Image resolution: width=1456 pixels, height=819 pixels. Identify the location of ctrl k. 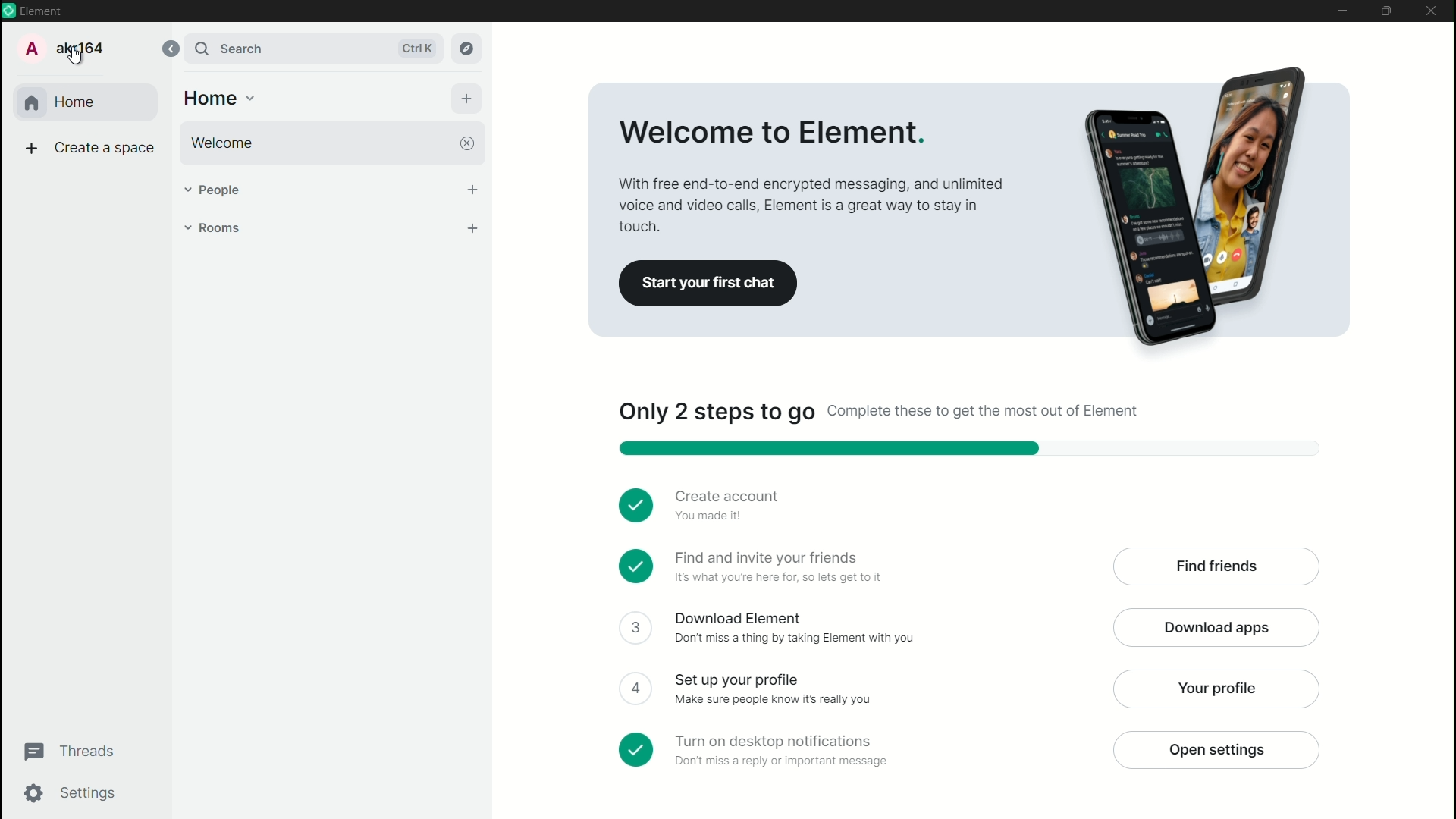
(417, 50).